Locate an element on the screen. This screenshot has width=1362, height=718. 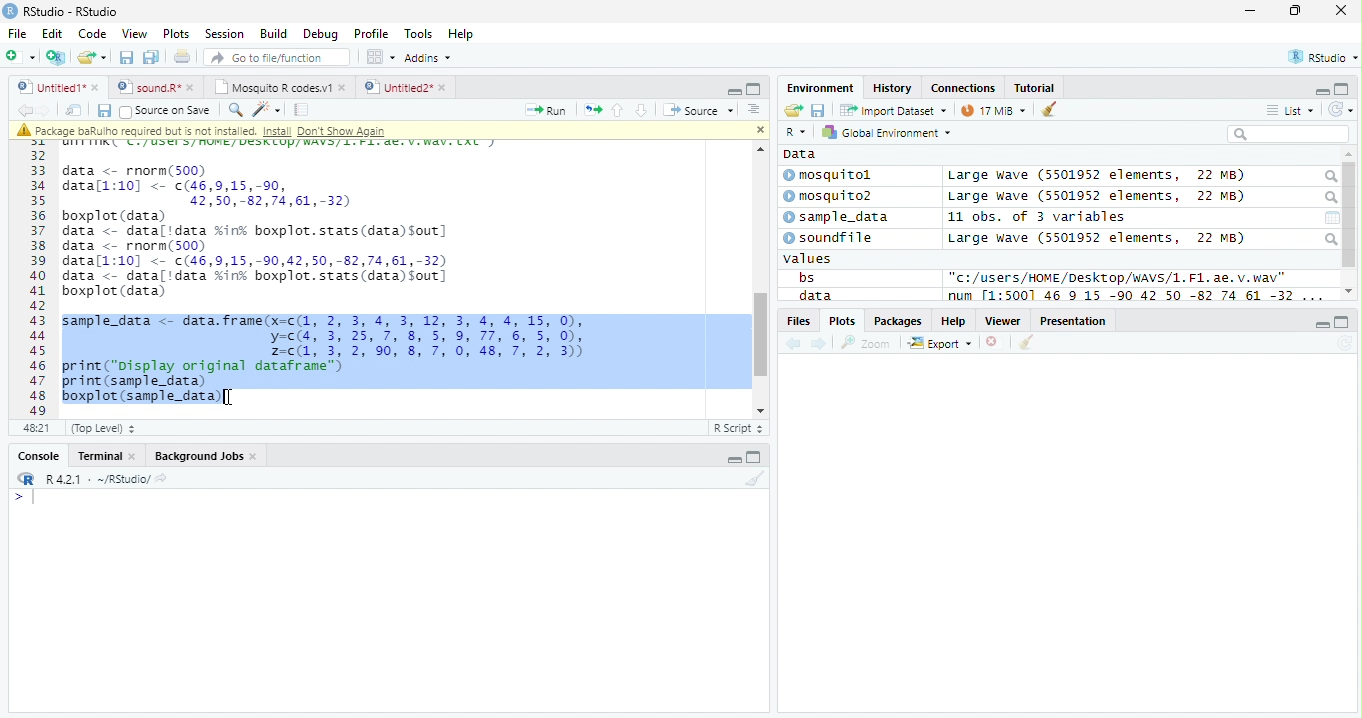
minimize is located at coordinates (1252, 10).